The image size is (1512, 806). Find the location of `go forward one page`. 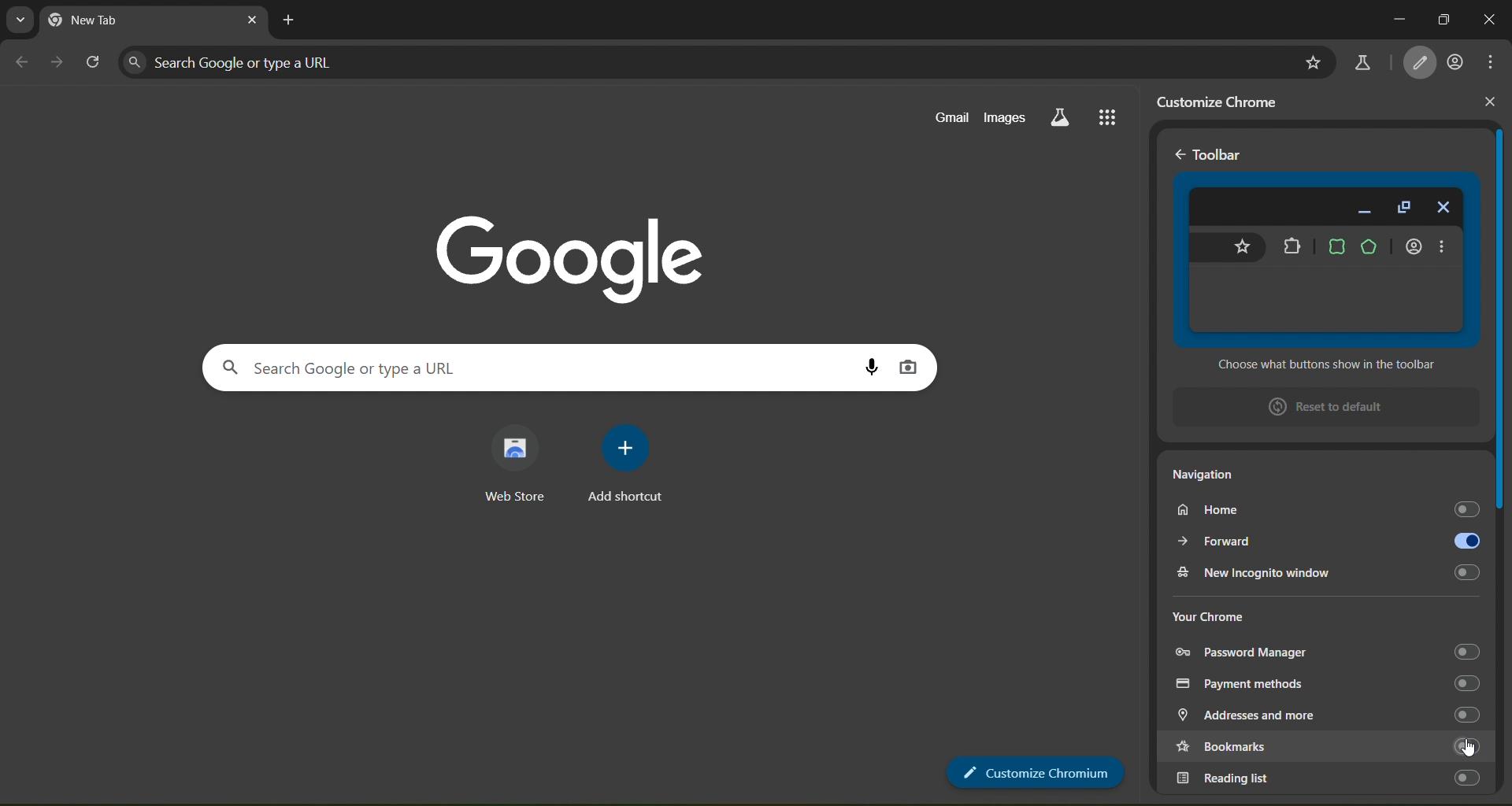

go forward one page is located at coordinates (60, 63).